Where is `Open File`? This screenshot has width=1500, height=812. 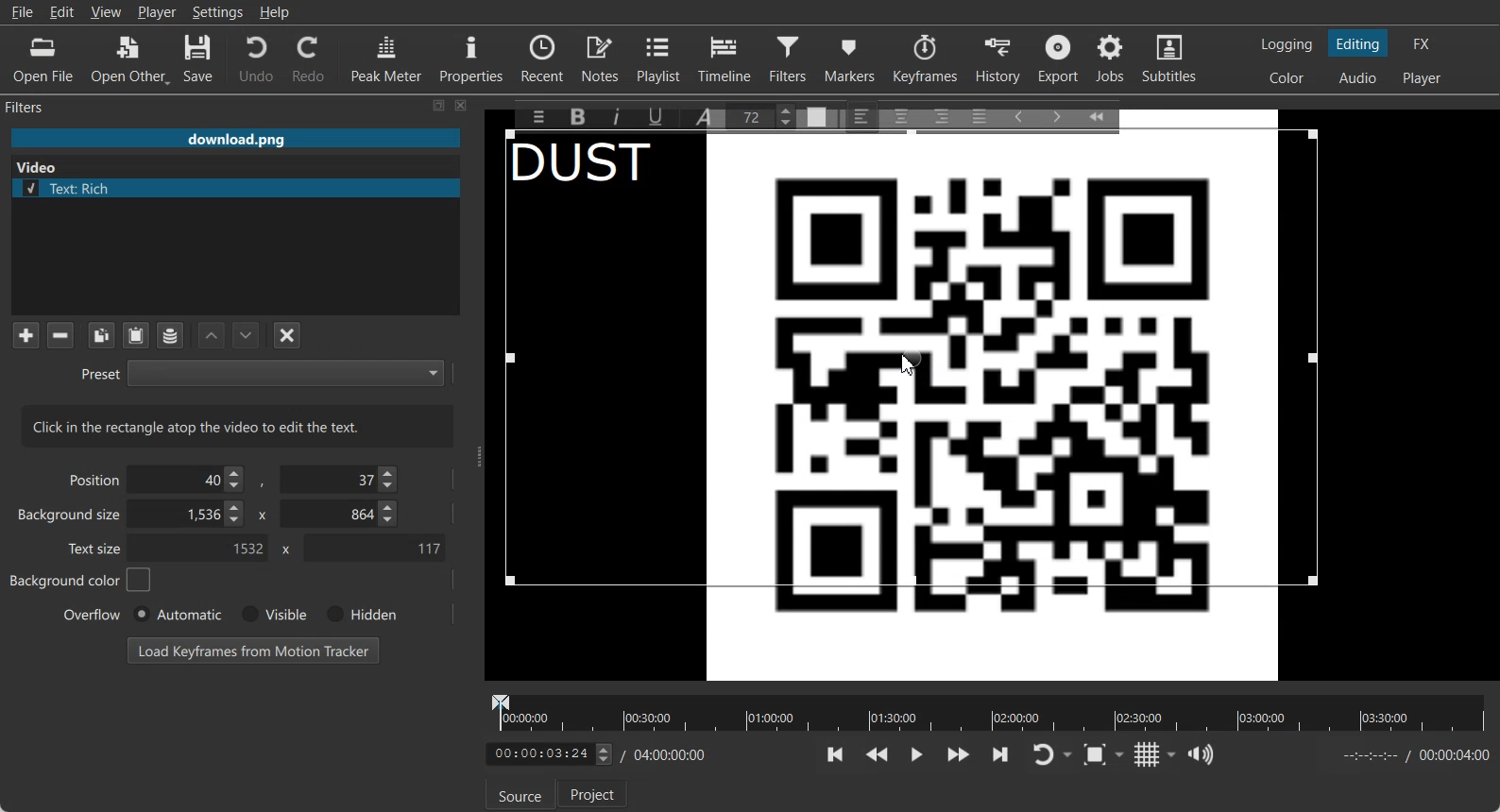
Open File is located at coordinates (43, 60).